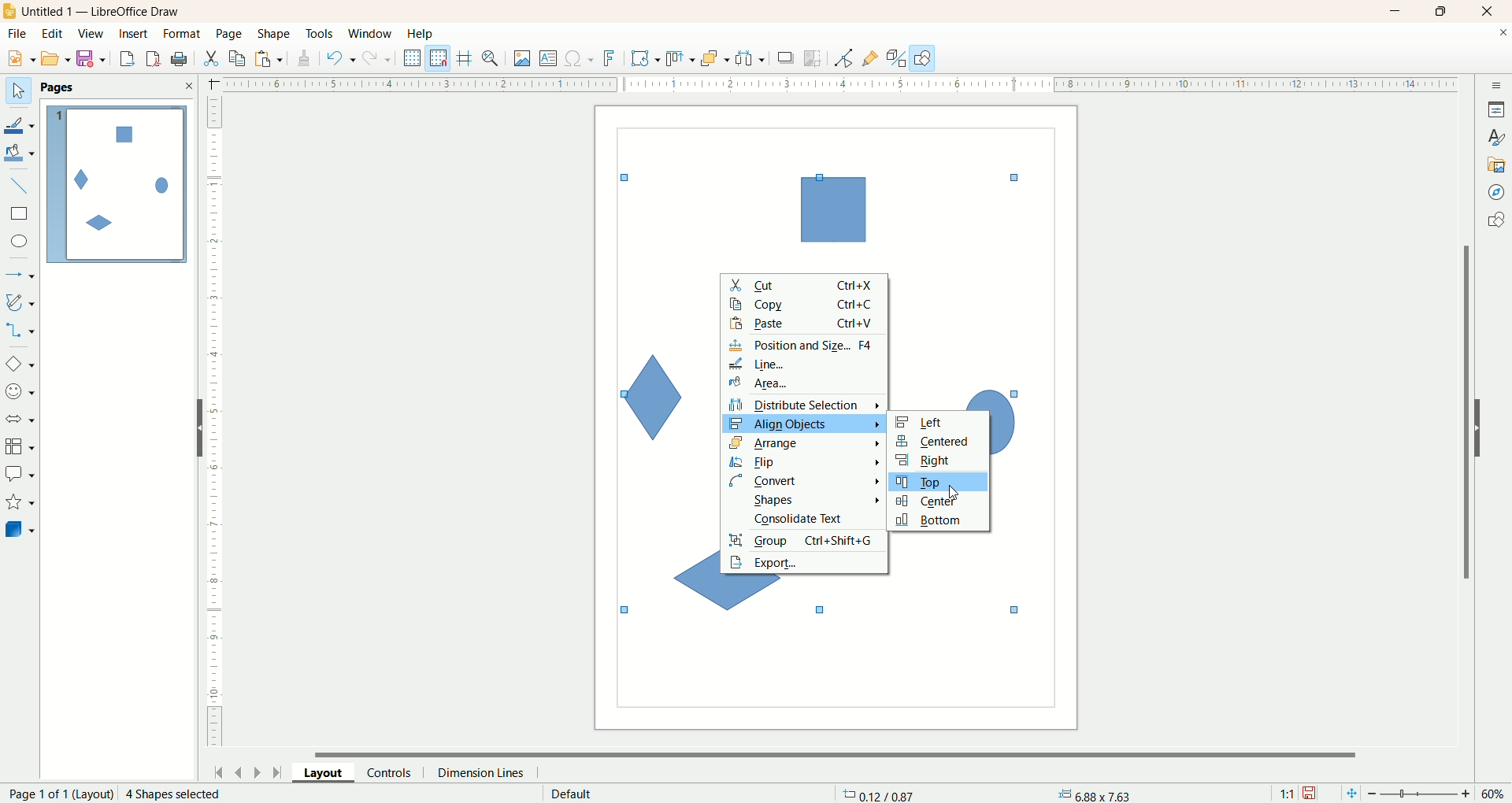  I want to click on unselected shape, so click(692, 581).